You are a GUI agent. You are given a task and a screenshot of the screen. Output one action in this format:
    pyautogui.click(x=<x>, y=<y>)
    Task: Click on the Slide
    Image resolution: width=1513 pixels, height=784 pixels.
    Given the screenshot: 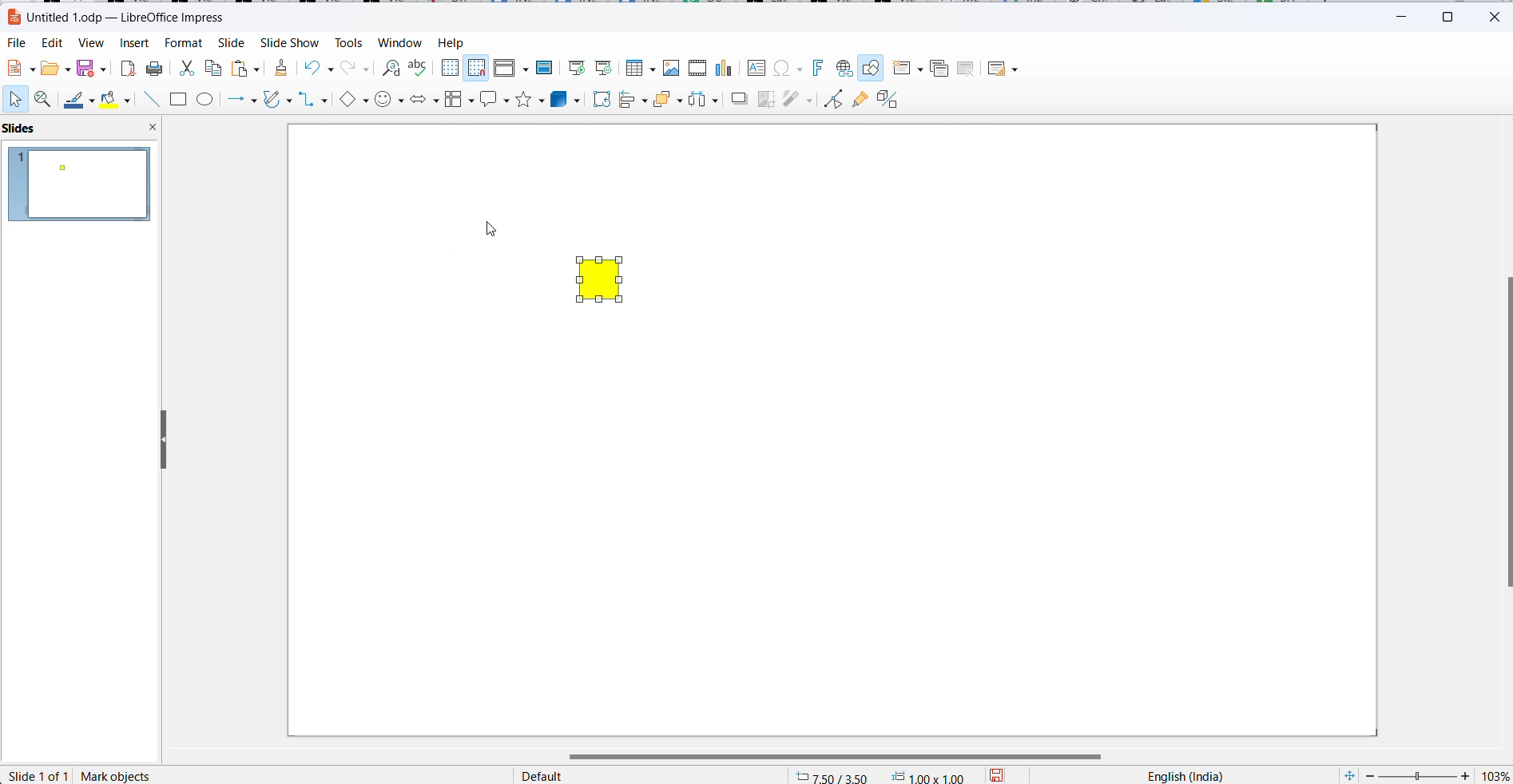 What is the action you would take?
    pyautogui.click(x=230, y=44)
    